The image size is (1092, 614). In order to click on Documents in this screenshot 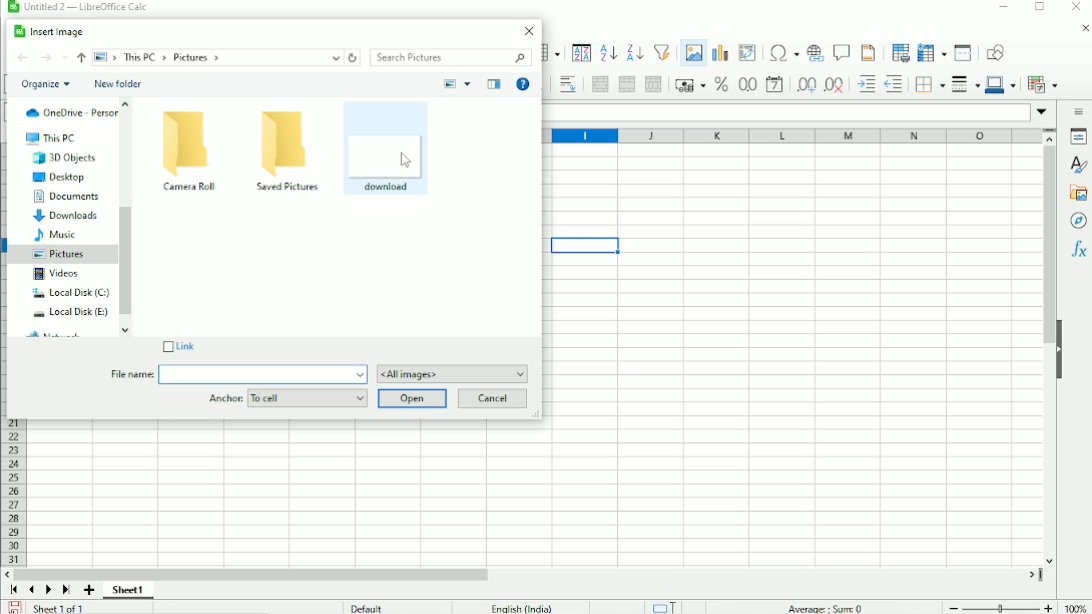, I will do `click(65, 196)`.